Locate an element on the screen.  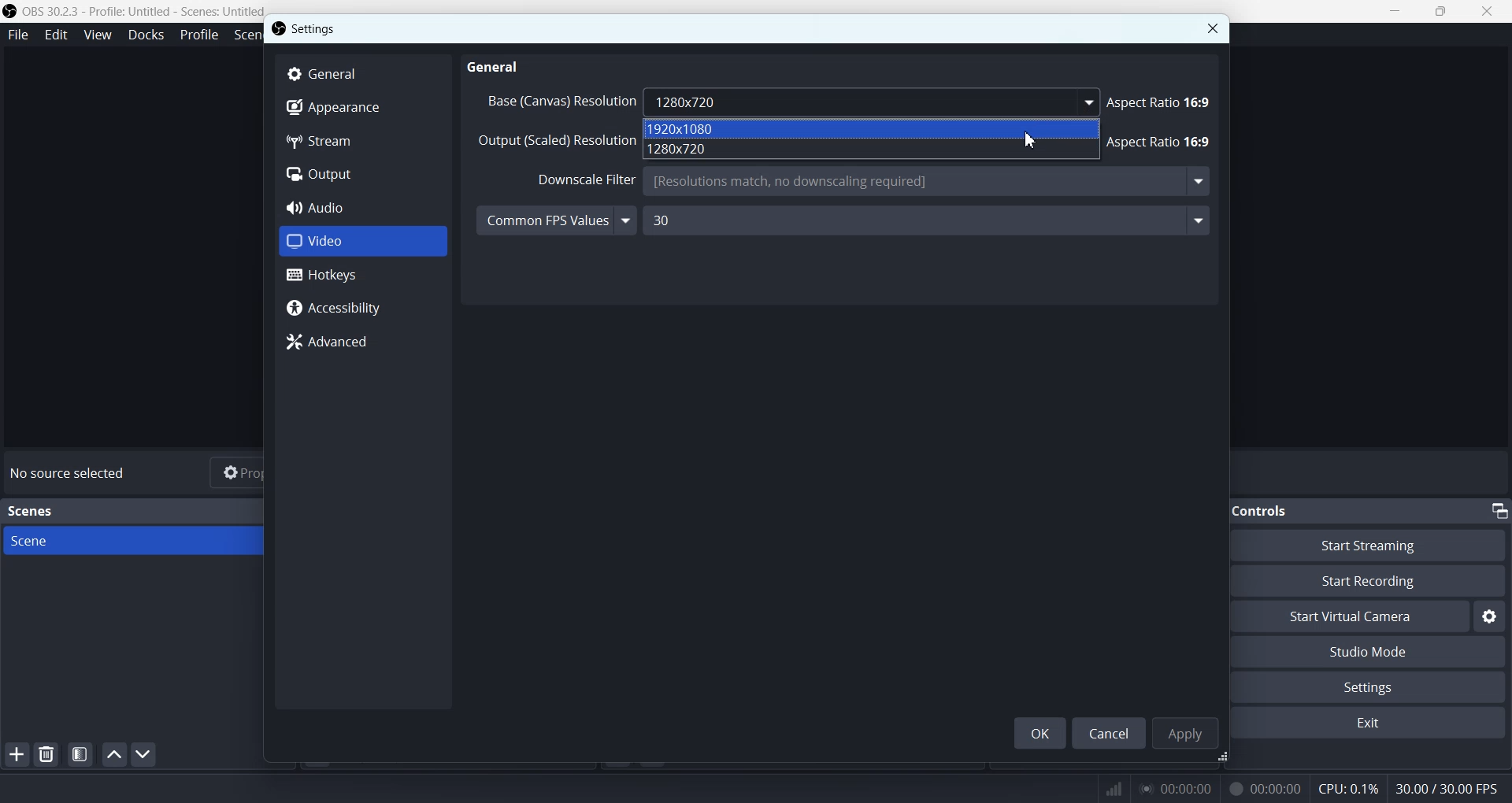
30  is located at coordinates (932, 220).